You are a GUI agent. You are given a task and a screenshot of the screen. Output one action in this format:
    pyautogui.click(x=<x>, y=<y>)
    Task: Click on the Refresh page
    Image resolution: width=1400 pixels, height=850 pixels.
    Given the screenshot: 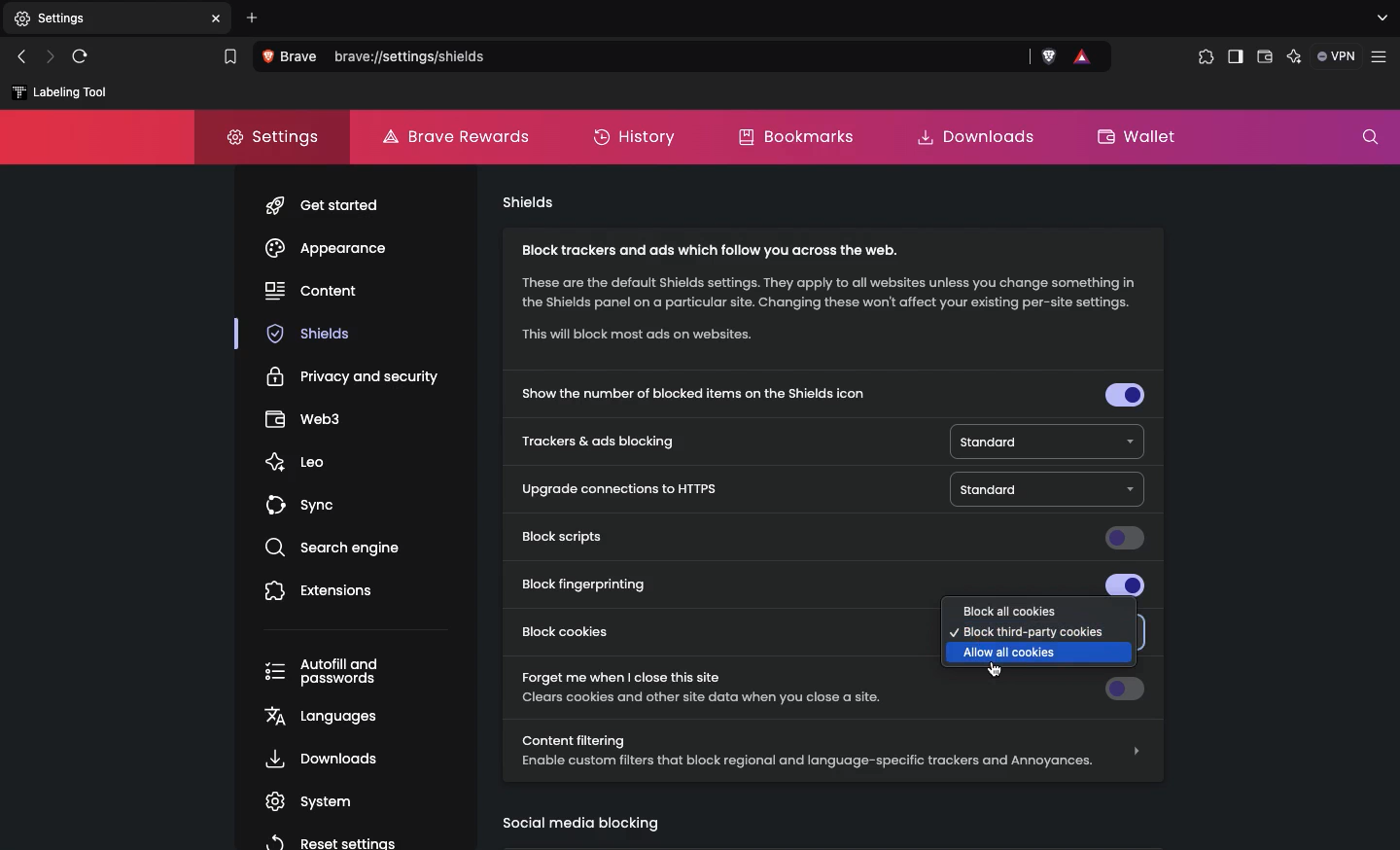 What is the action you would take?
    pyautogui.click(x=80, y=57)
    